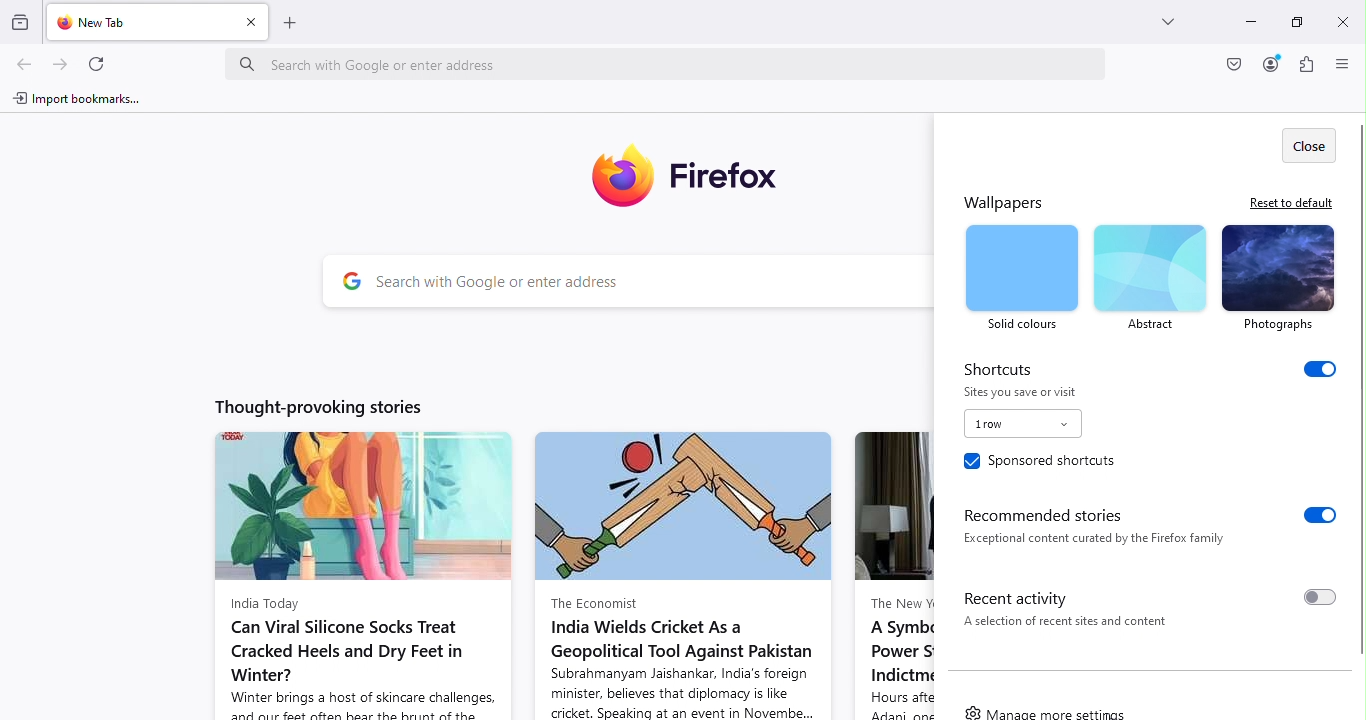  Describe the element at coordinates (1026, 595) in the screenshot. I see `Recent activity` at that location.